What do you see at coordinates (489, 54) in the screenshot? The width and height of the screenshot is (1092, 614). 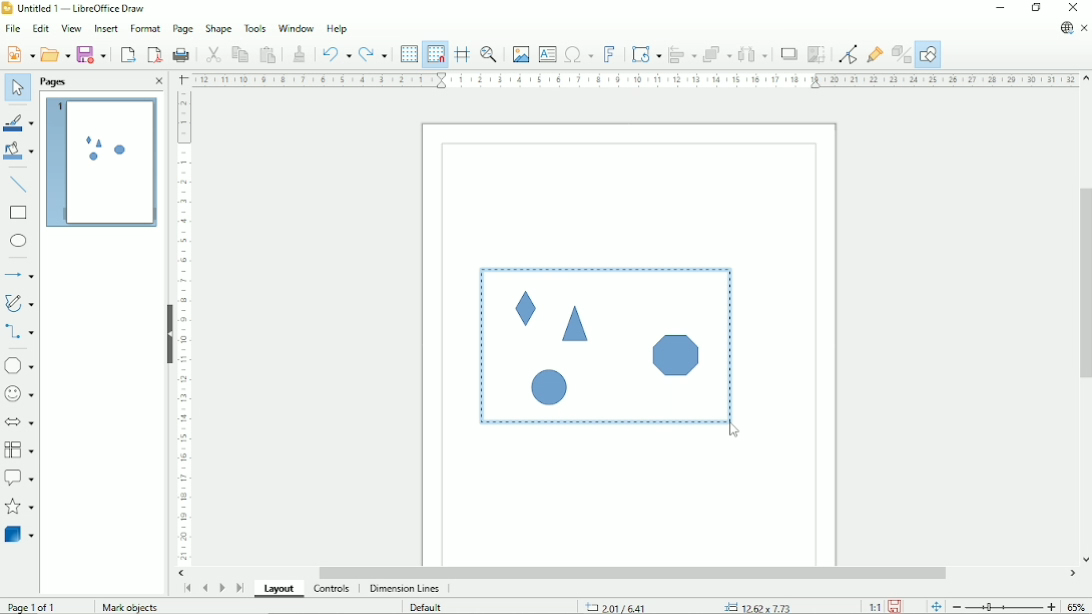 I see `Zoom & pan` at bounding box center [489, 54].